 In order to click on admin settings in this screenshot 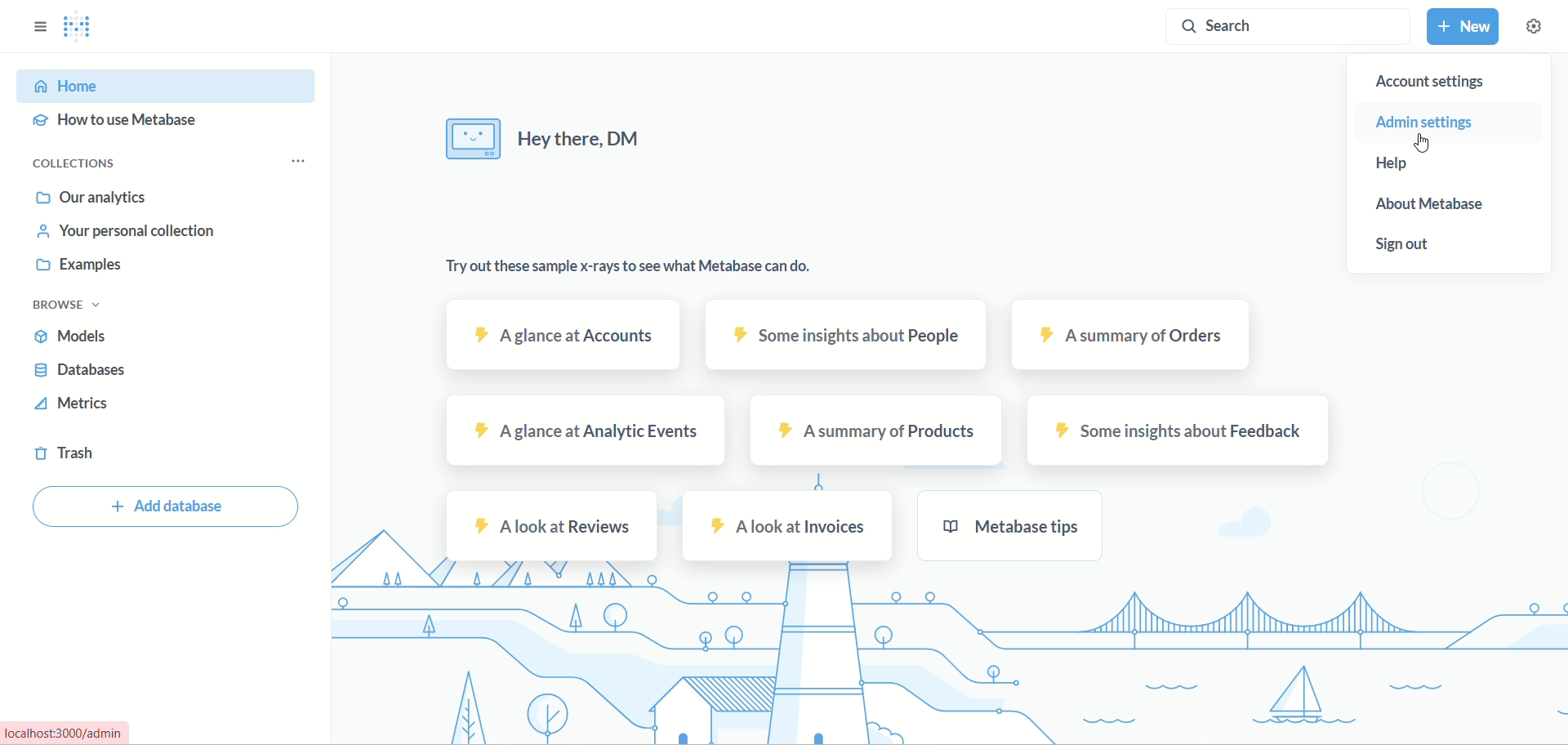, I will do `click(1428, 123)`.